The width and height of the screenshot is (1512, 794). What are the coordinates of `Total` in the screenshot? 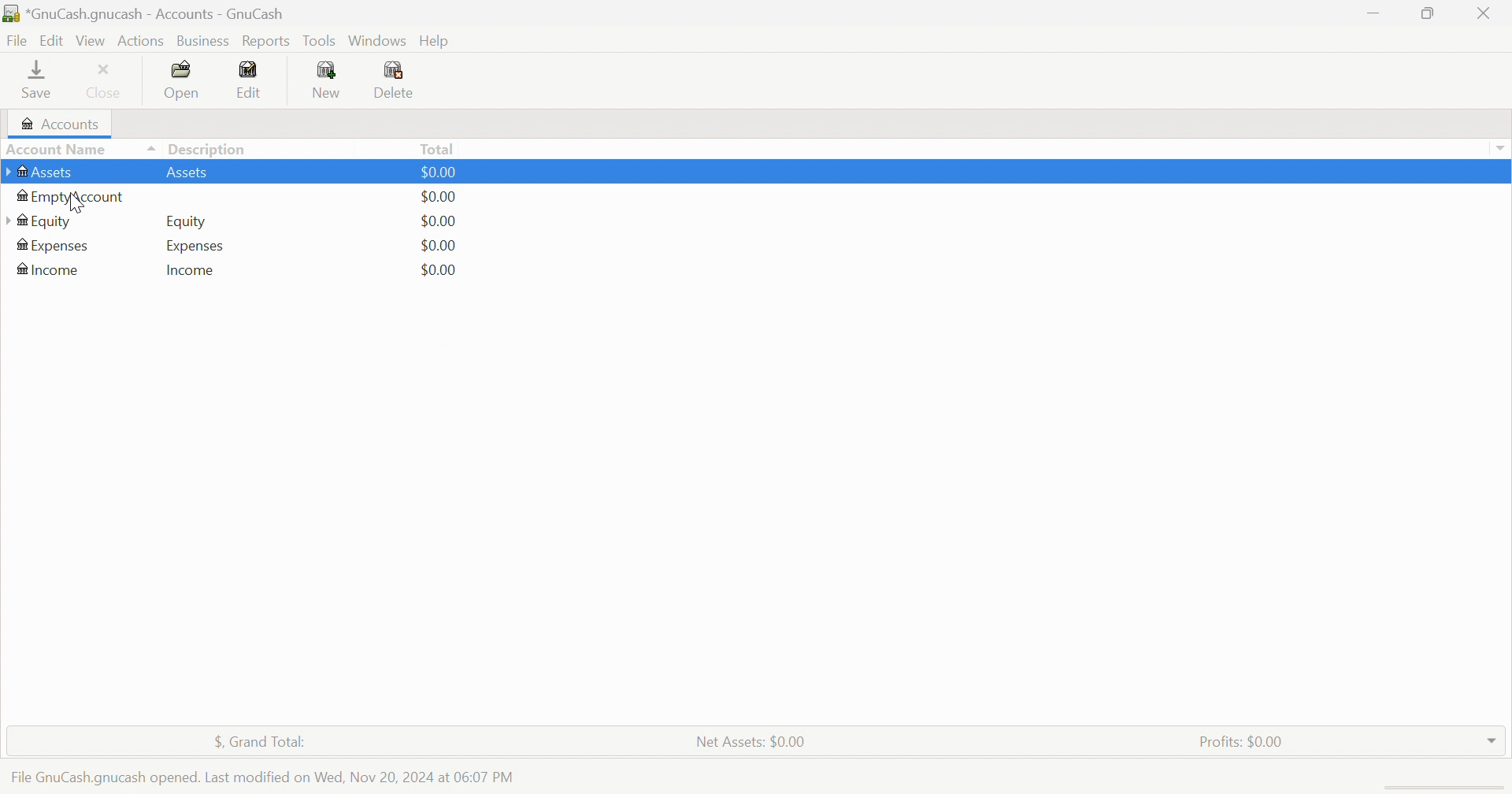 It's located at (441, 149).